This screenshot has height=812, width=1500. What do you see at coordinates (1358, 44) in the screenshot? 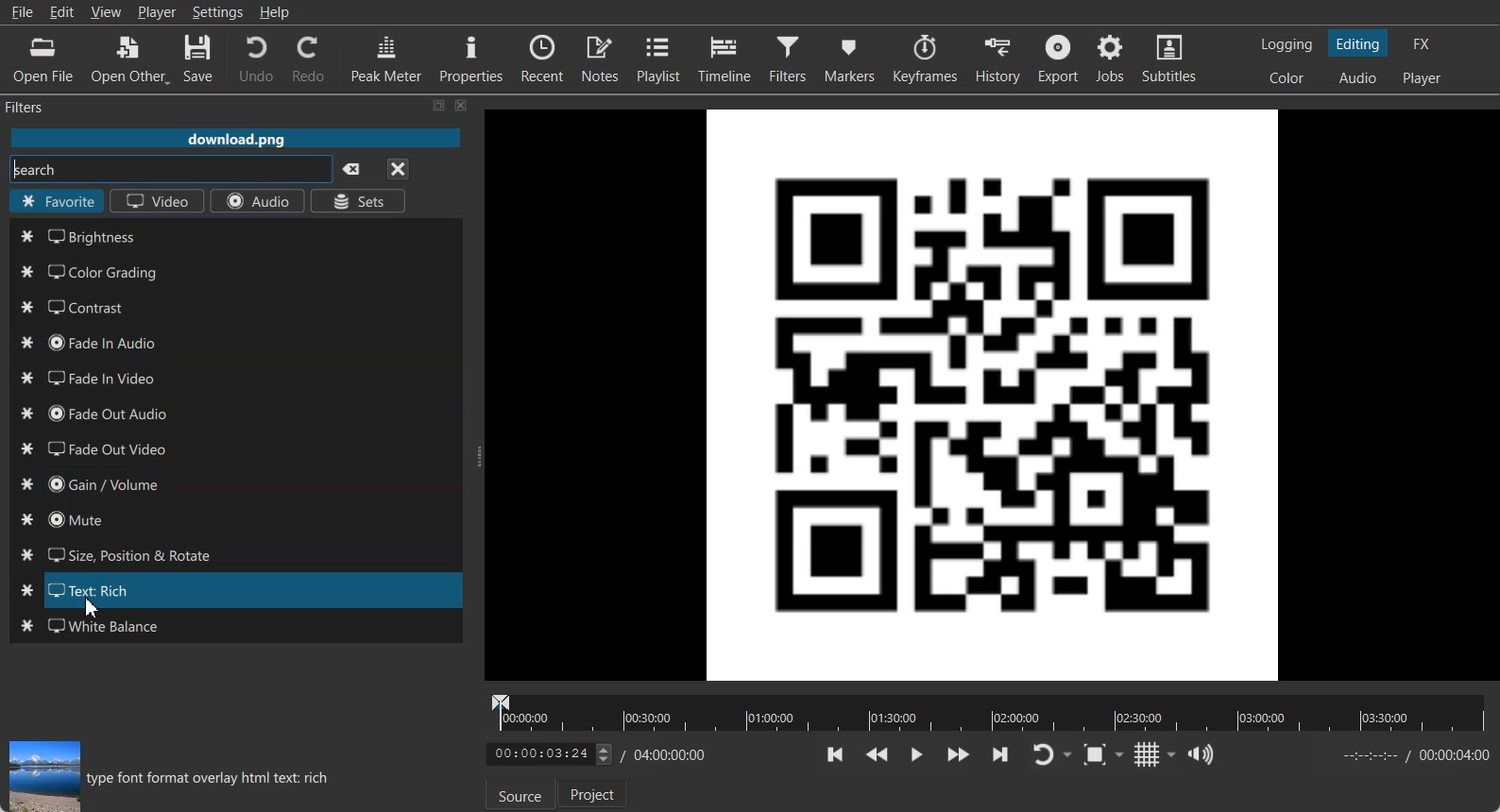
I see `Switching to the Editing layout` at bounding box center [1358, 44].